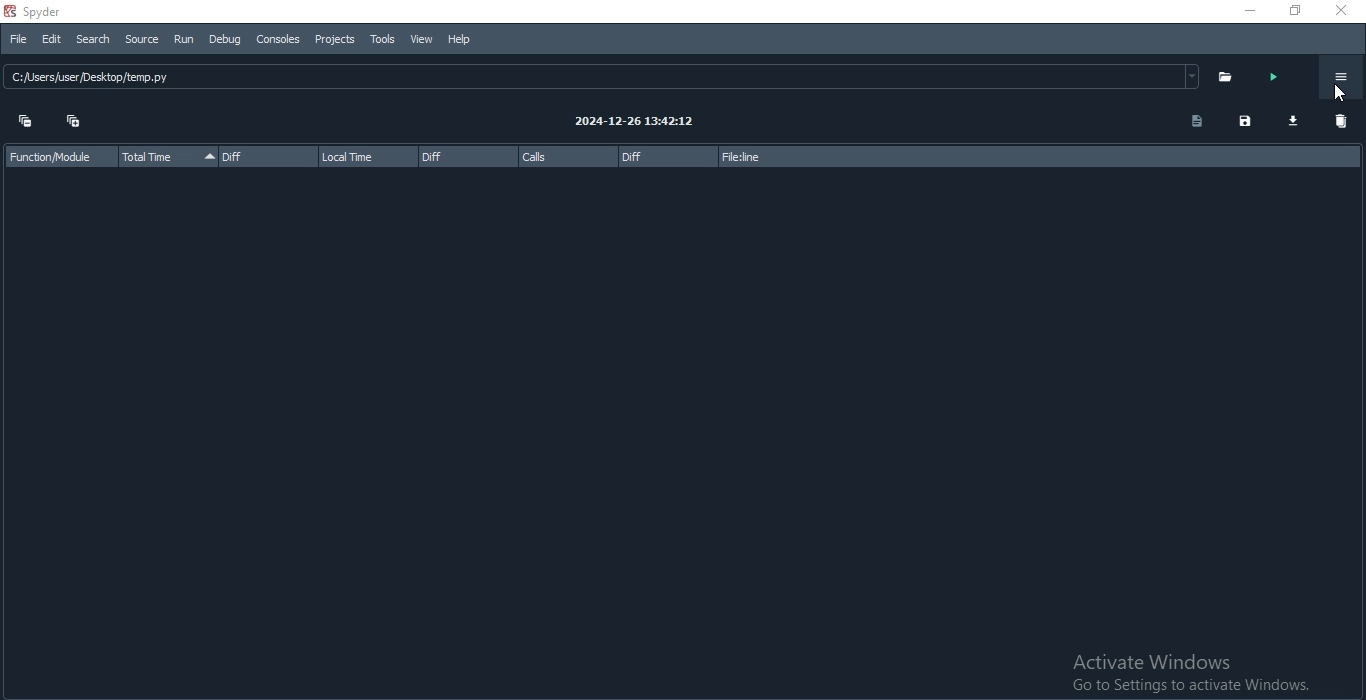  I want to click on Source, so click(143, 40).